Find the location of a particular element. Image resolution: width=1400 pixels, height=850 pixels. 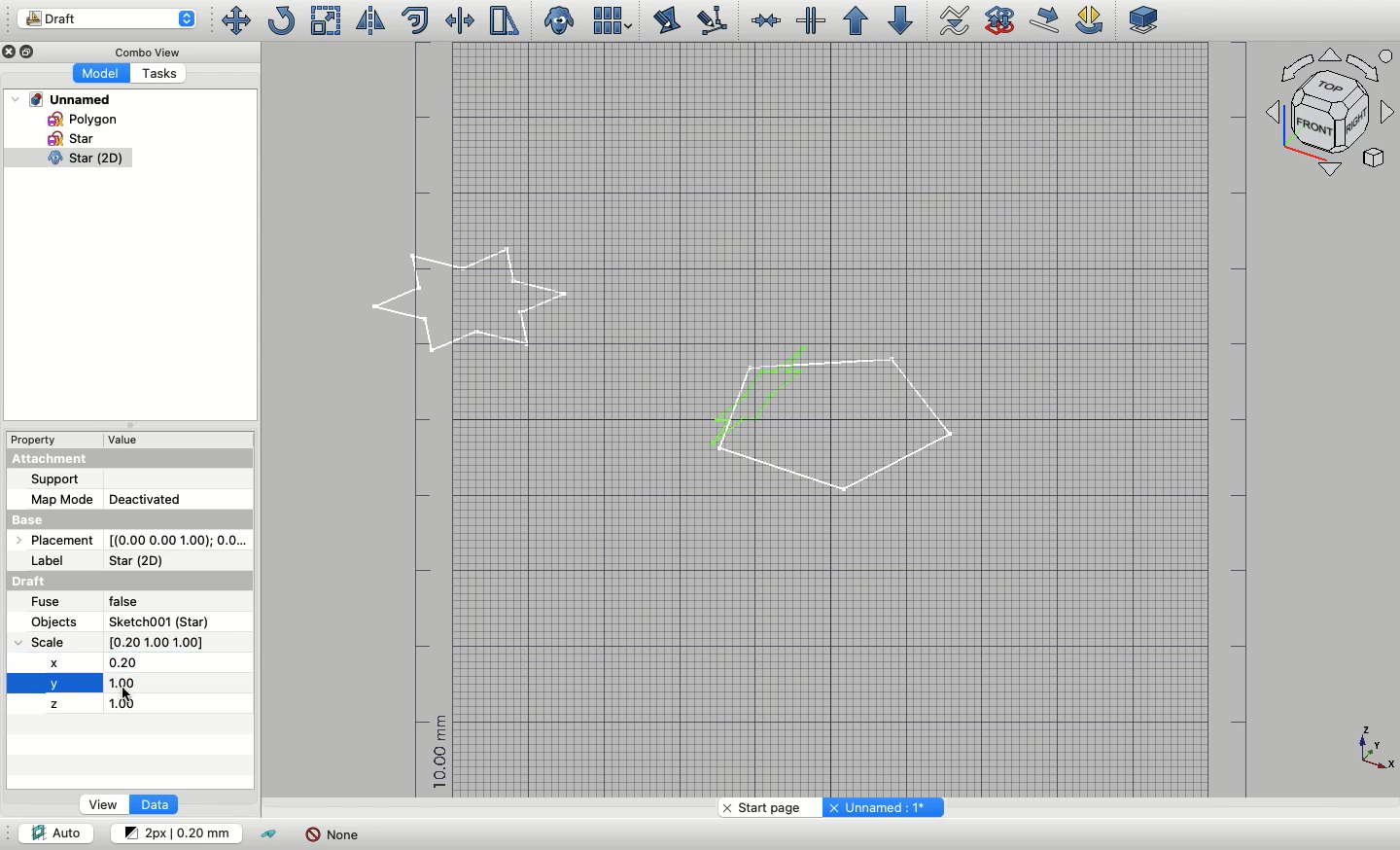

Draft to sketch is located at coordinates (1000, 18).